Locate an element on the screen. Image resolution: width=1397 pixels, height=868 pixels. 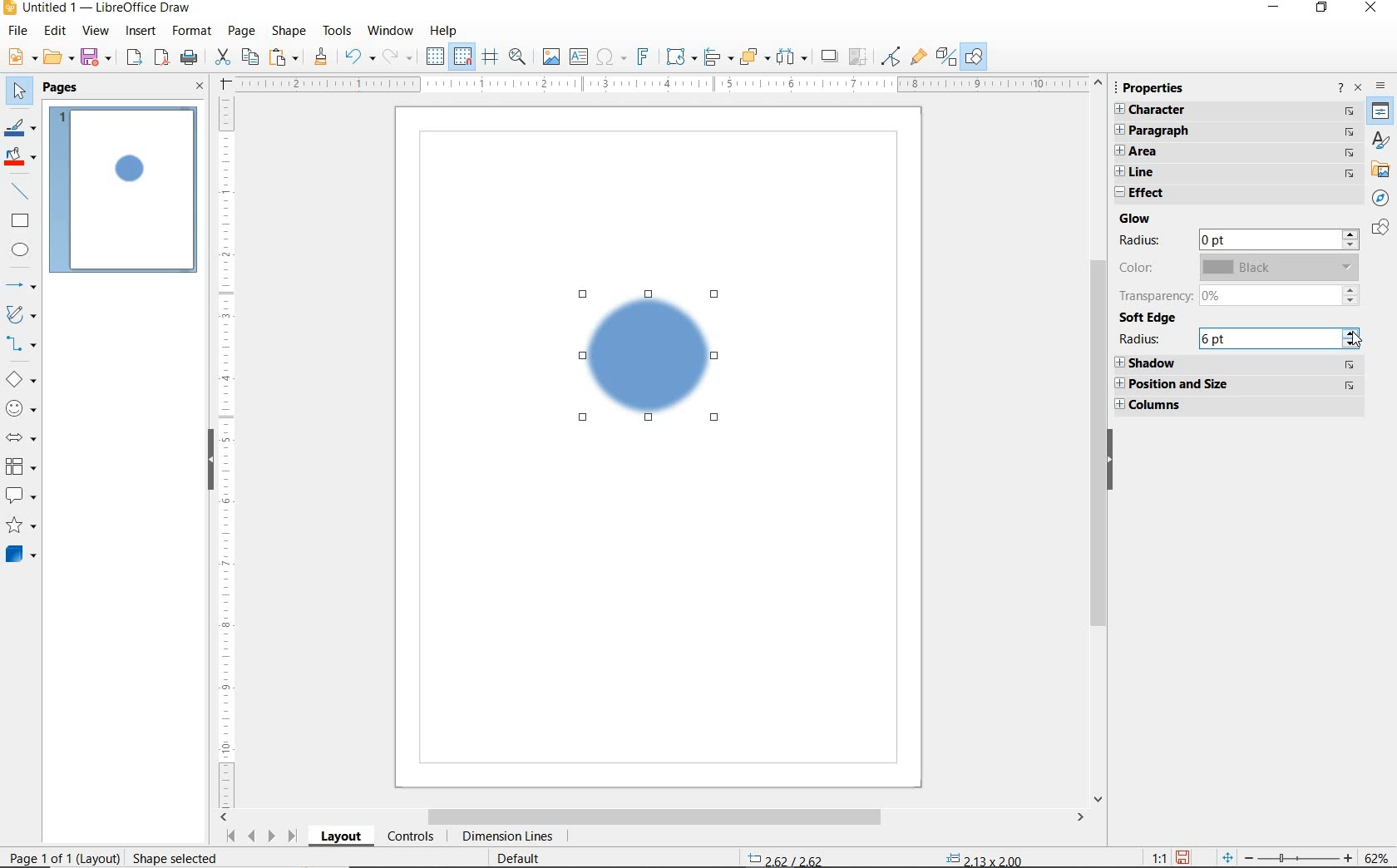
UNDO is located at coordinates (358, 57).